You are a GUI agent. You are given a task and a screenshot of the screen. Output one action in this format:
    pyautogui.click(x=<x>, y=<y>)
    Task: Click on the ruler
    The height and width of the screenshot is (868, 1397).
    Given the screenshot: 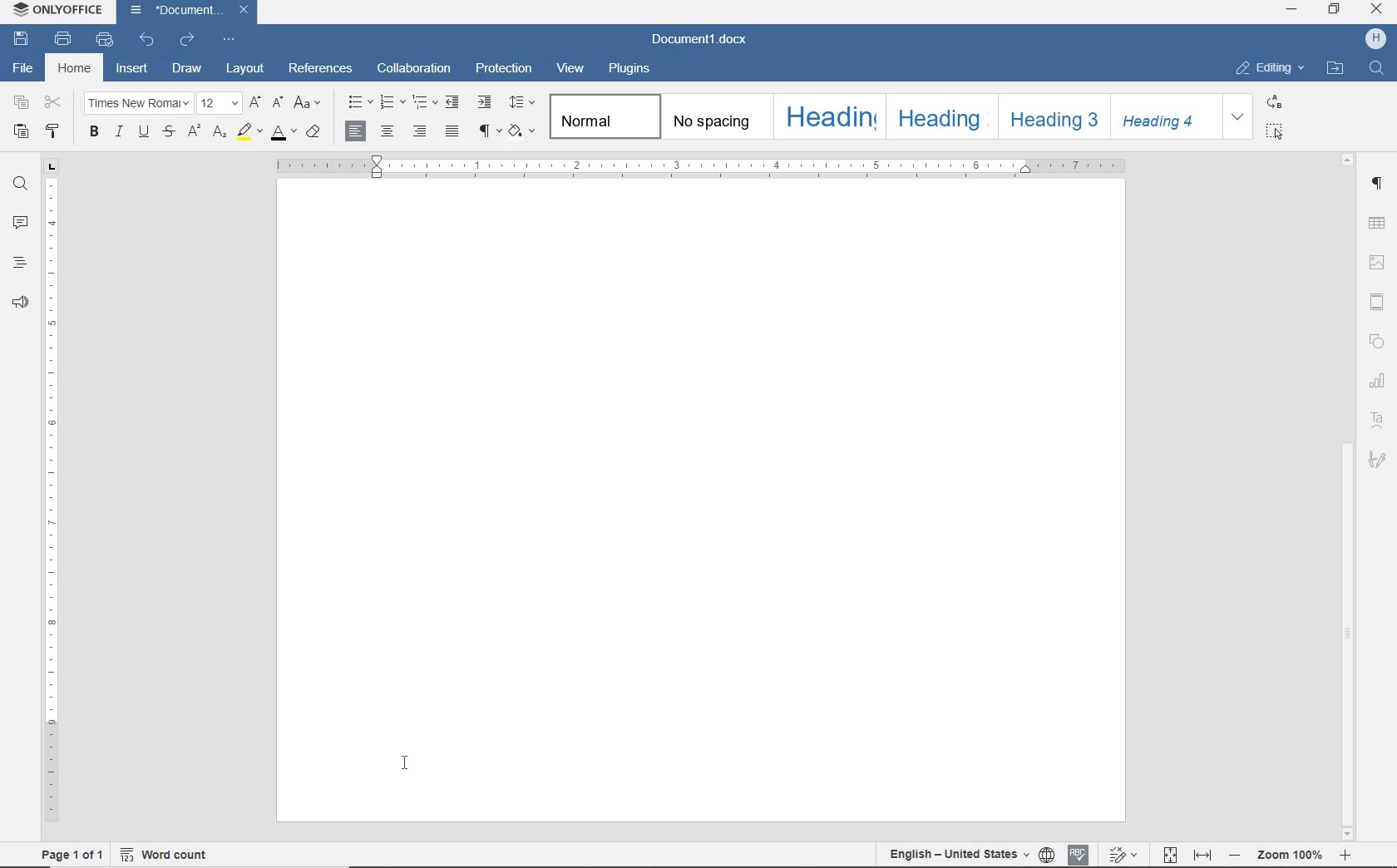 What is the action you would take?
    pyautogui.click(x=699, y=166)
    